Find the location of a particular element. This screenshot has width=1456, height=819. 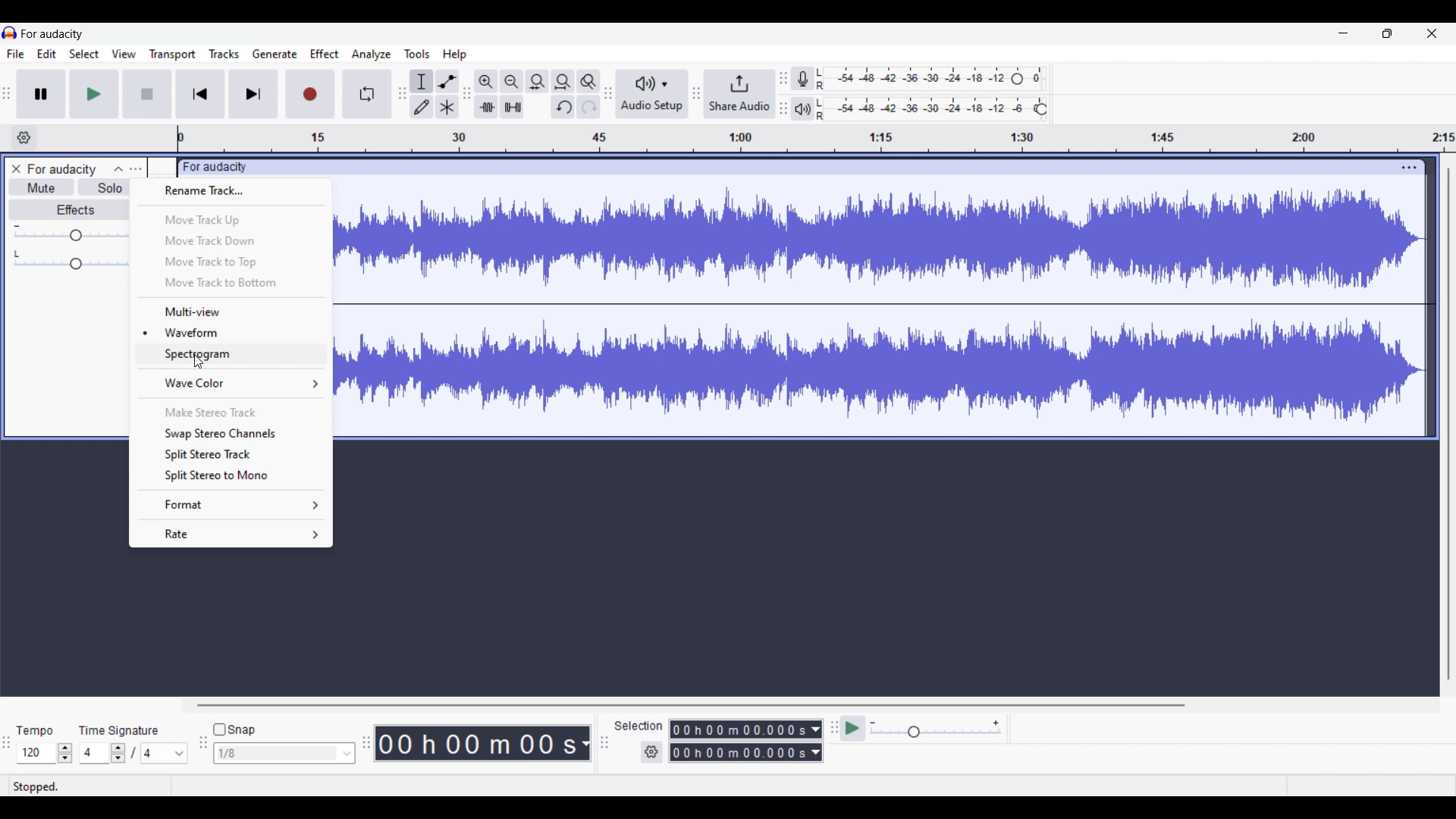

Selection tool is located at coordinates (422, 82).